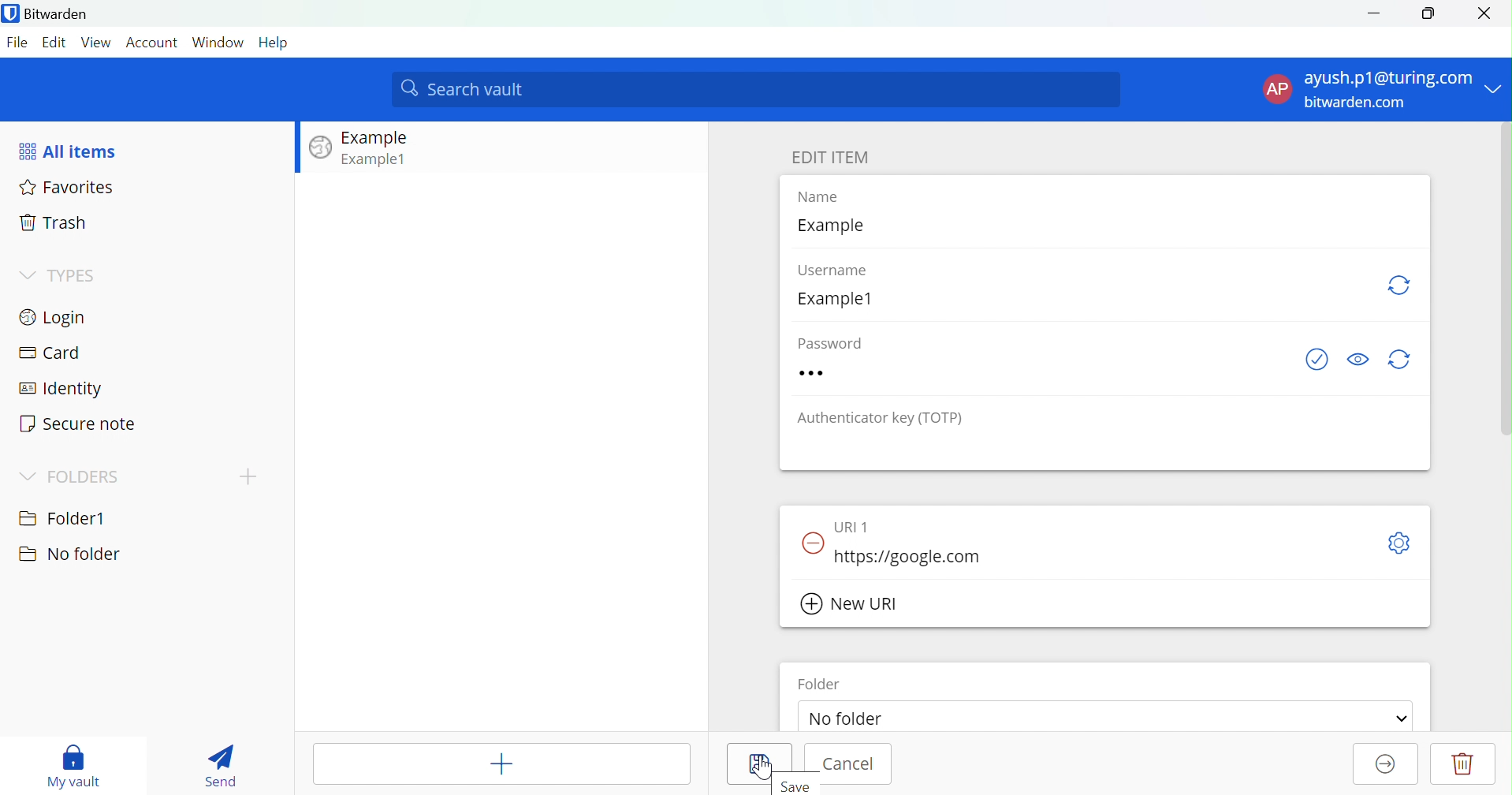 The width and height of the screenshot is (1512, 795). Describe the element at coordinates (1402, 718) in the screenshot. I see `Drop Down` at that location.